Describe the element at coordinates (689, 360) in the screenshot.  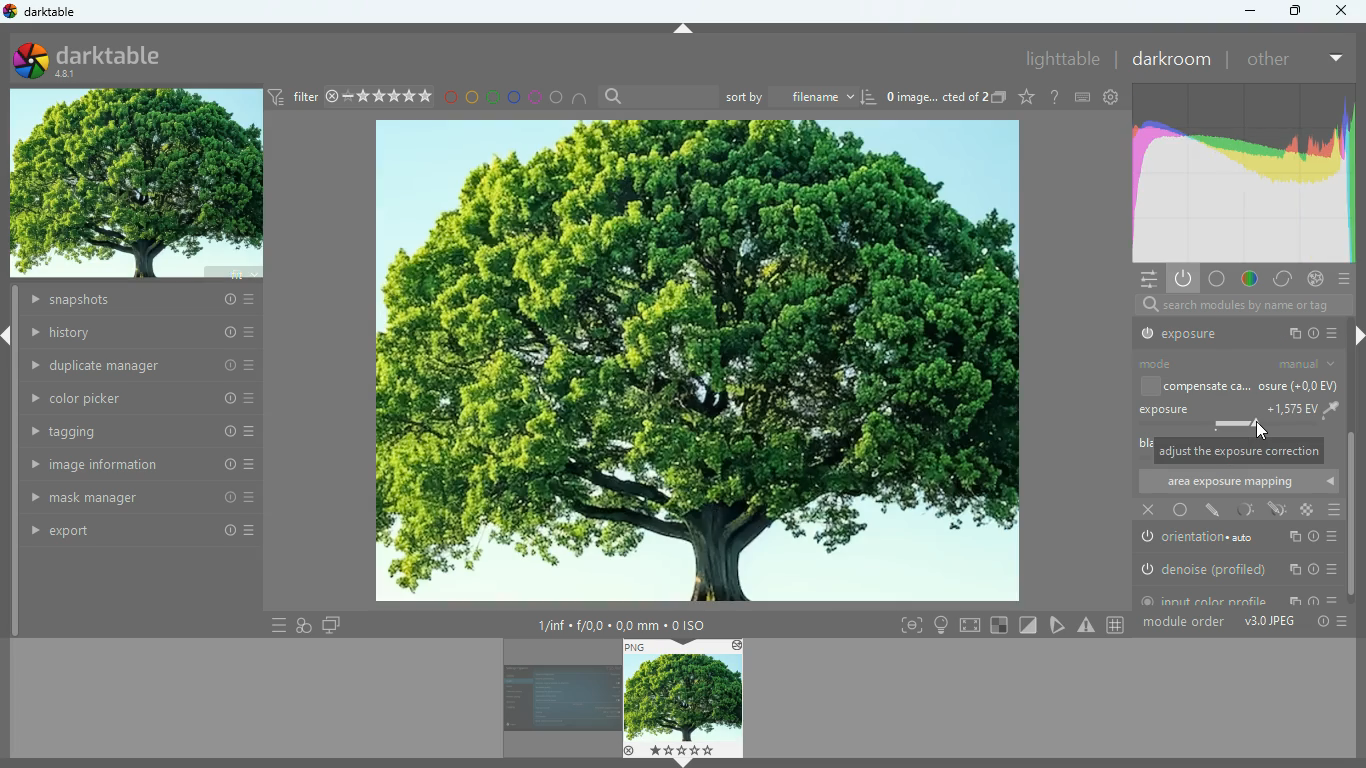
I see `image` at that location.